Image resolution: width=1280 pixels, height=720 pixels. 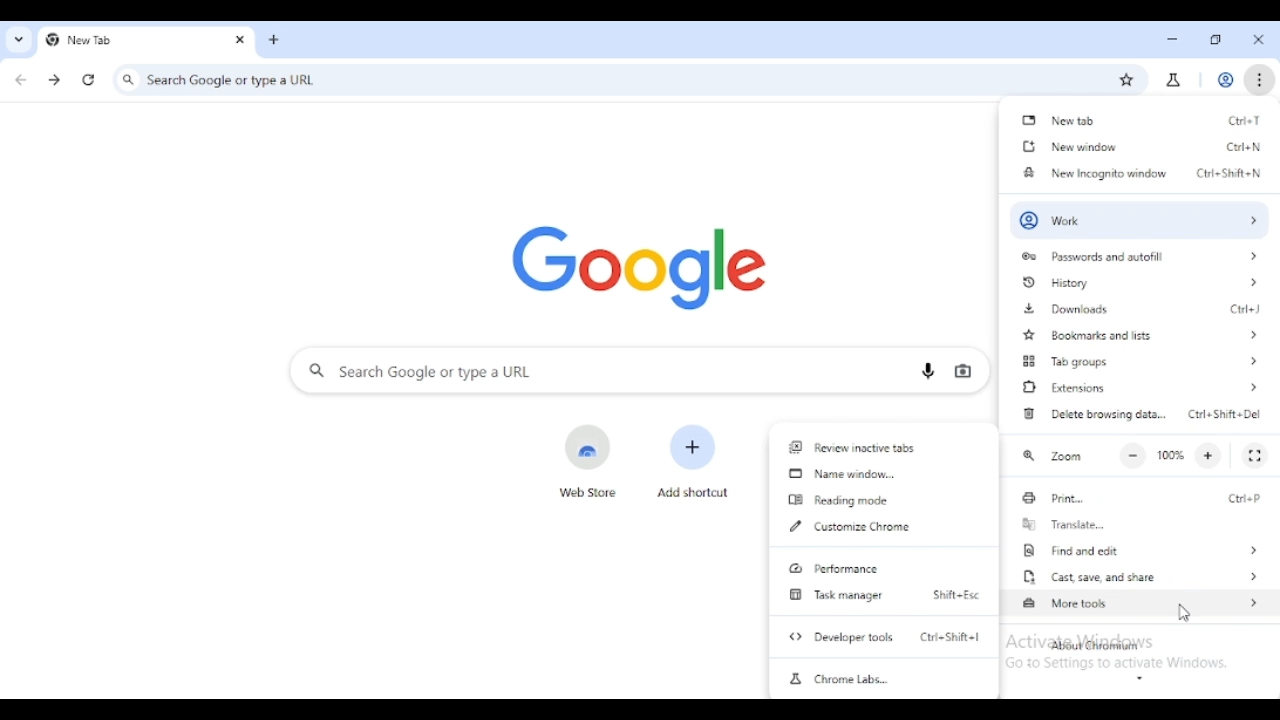 I want to click on new window, so click(x=1068, y=147).